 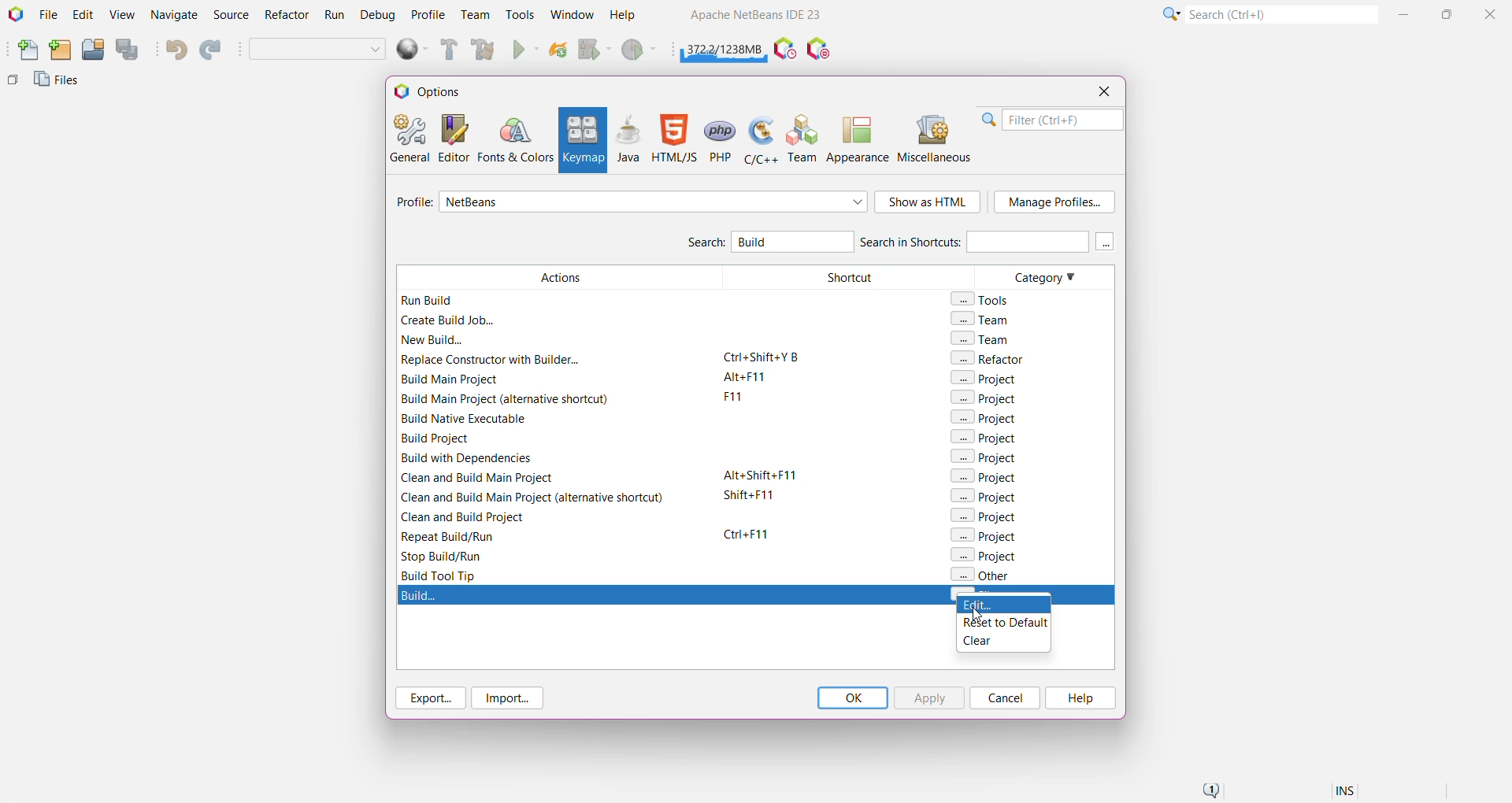 I want to click on Click to force garbage collection, so click(x=724, y=47).